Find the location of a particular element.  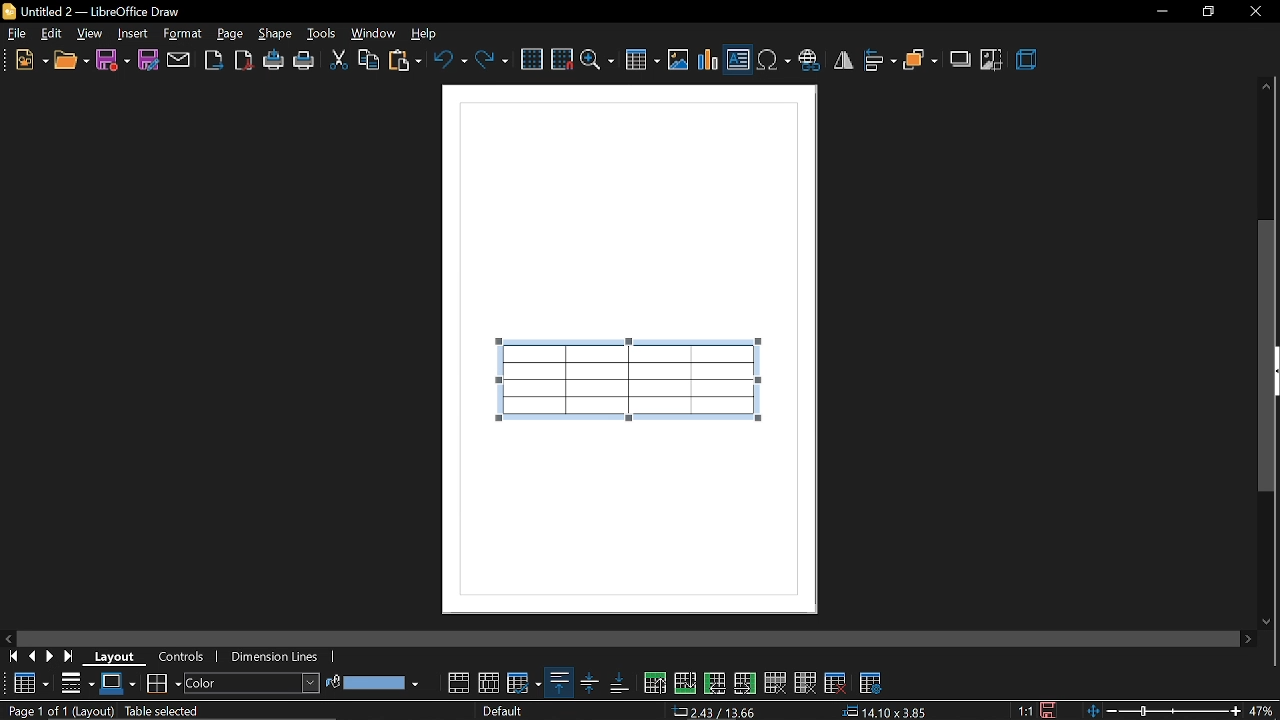

go to first page is located at coordinates (10, 656).